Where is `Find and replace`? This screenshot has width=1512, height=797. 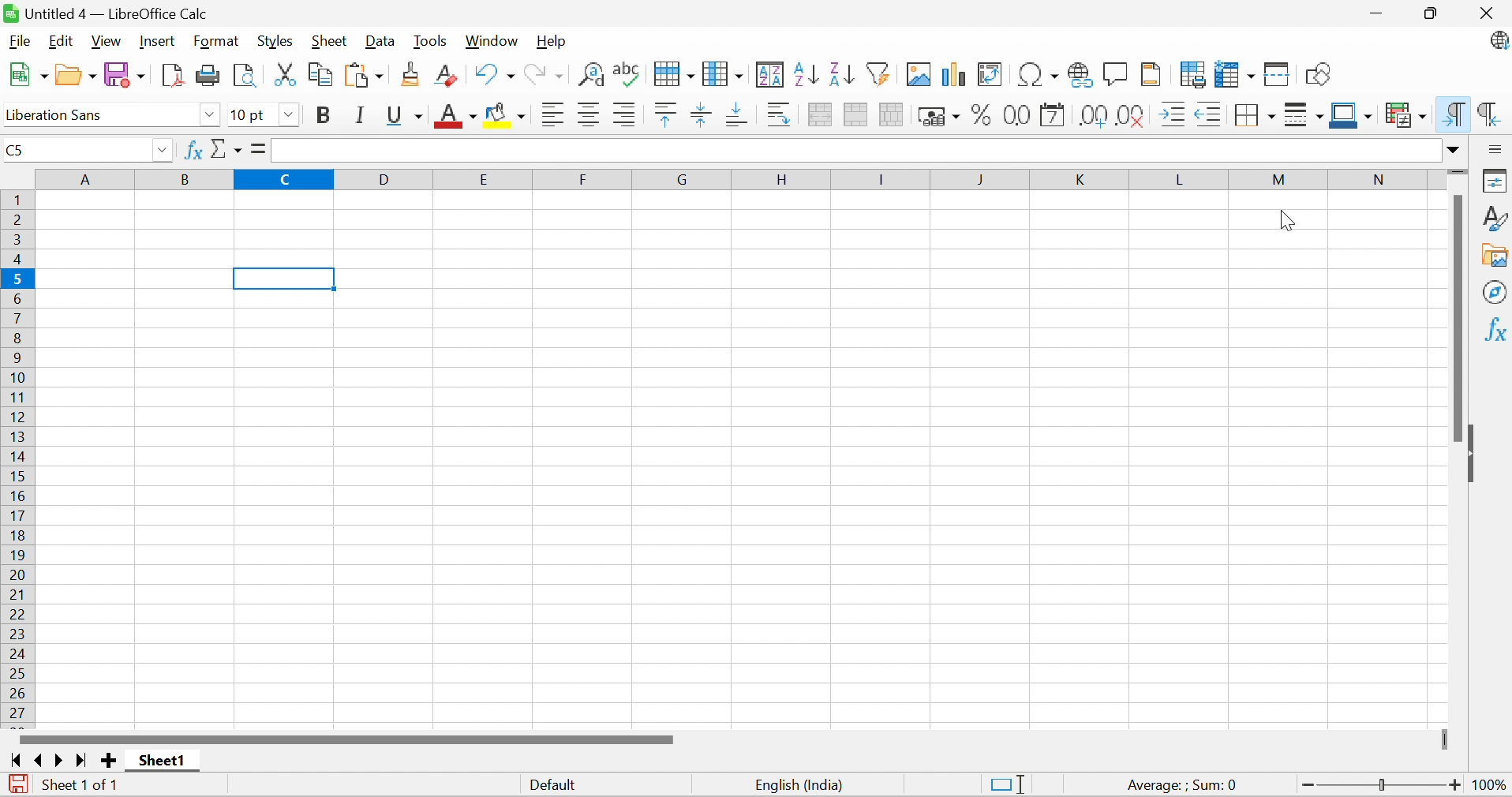
Find and replace is located at coordinates (593, 76).